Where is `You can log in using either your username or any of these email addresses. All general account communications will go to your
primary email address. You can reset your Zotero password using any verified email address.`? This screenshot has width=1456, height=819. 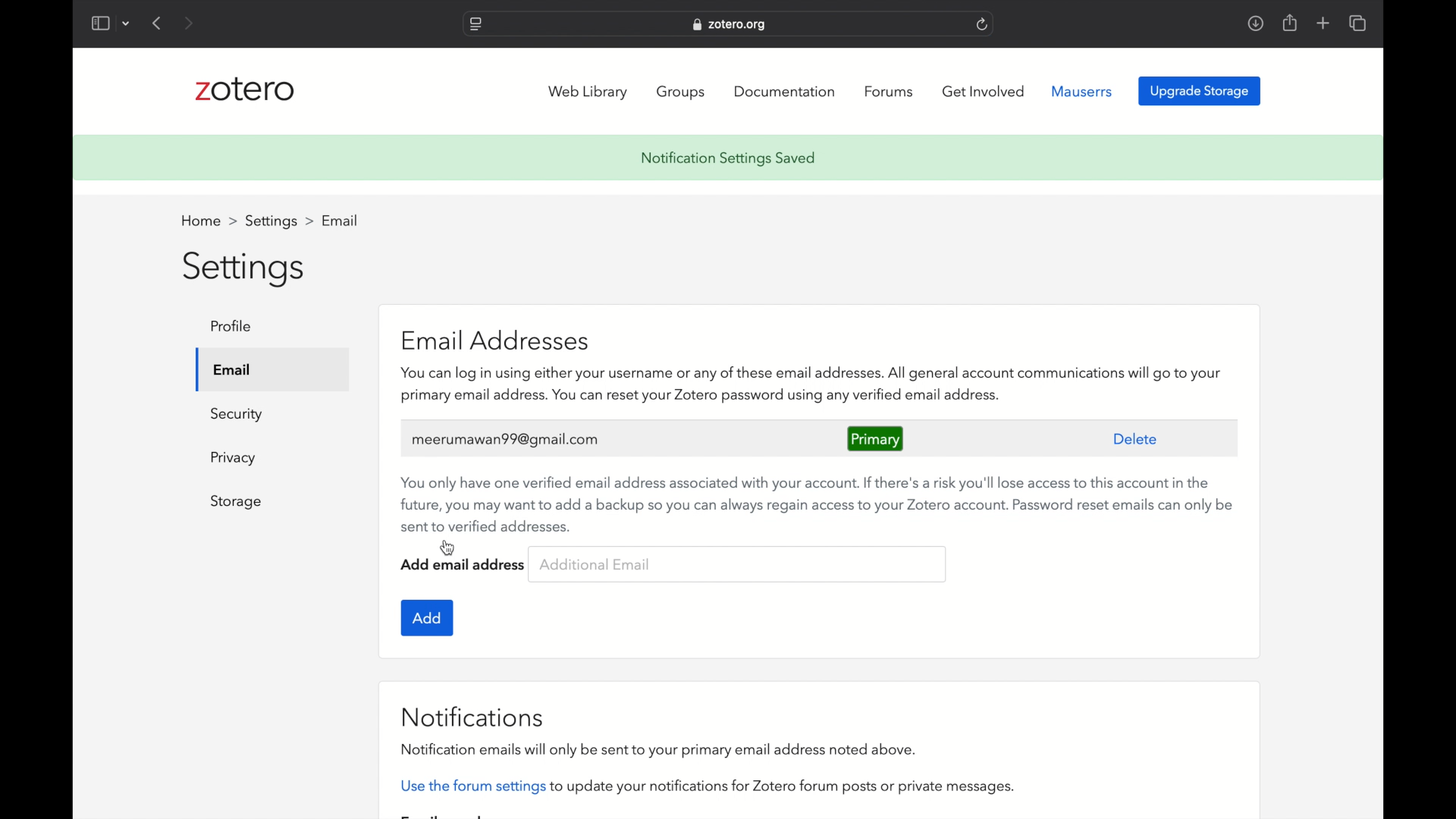
You can log in using either your username or any of these email addresses. All general account communications will go to your
primary email address. You can reset your Zotero password using any verified email address. is located at coordinates (810, 386).